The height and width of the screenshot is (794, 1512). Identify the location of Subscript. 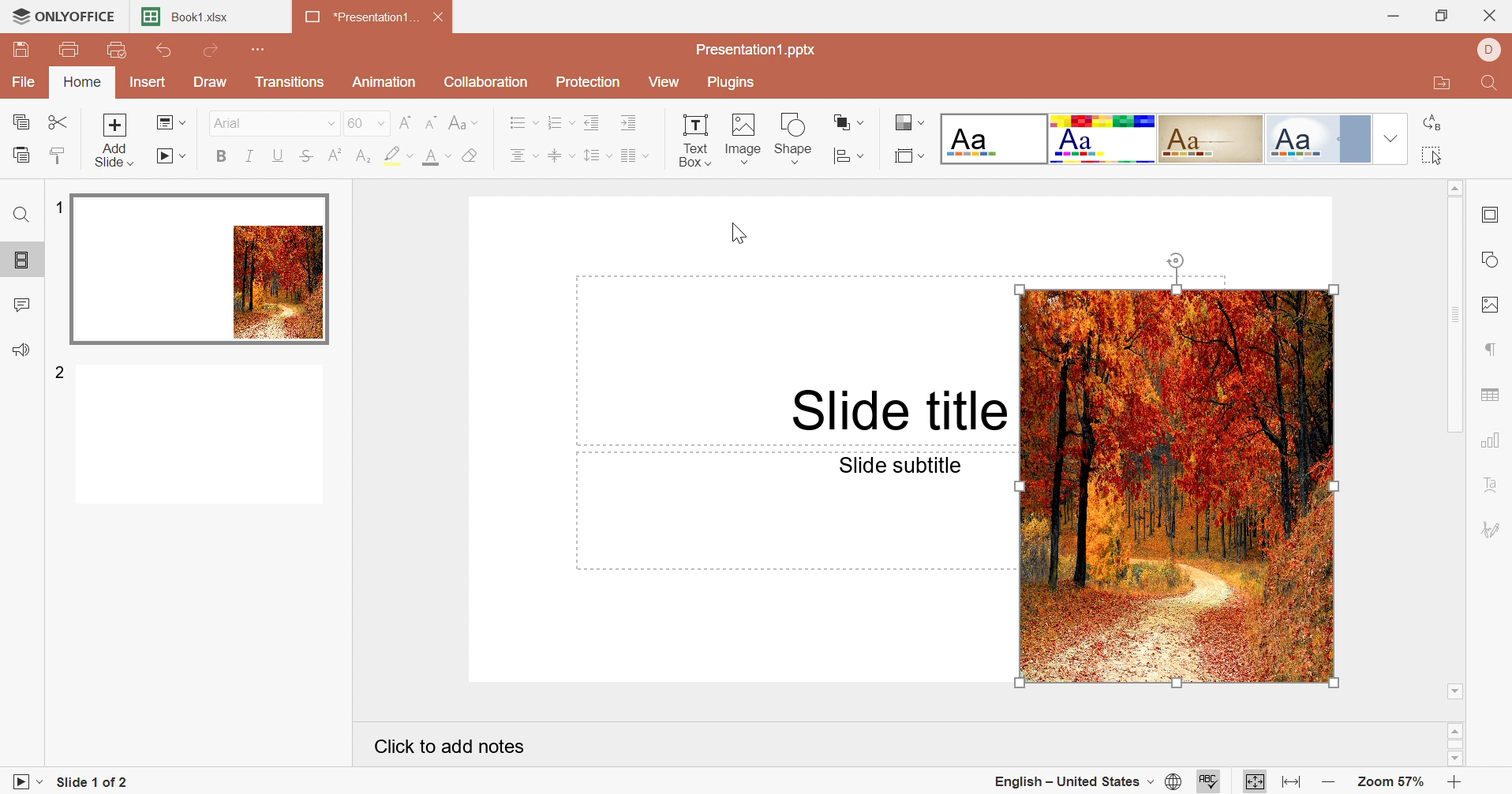
(363, 155).